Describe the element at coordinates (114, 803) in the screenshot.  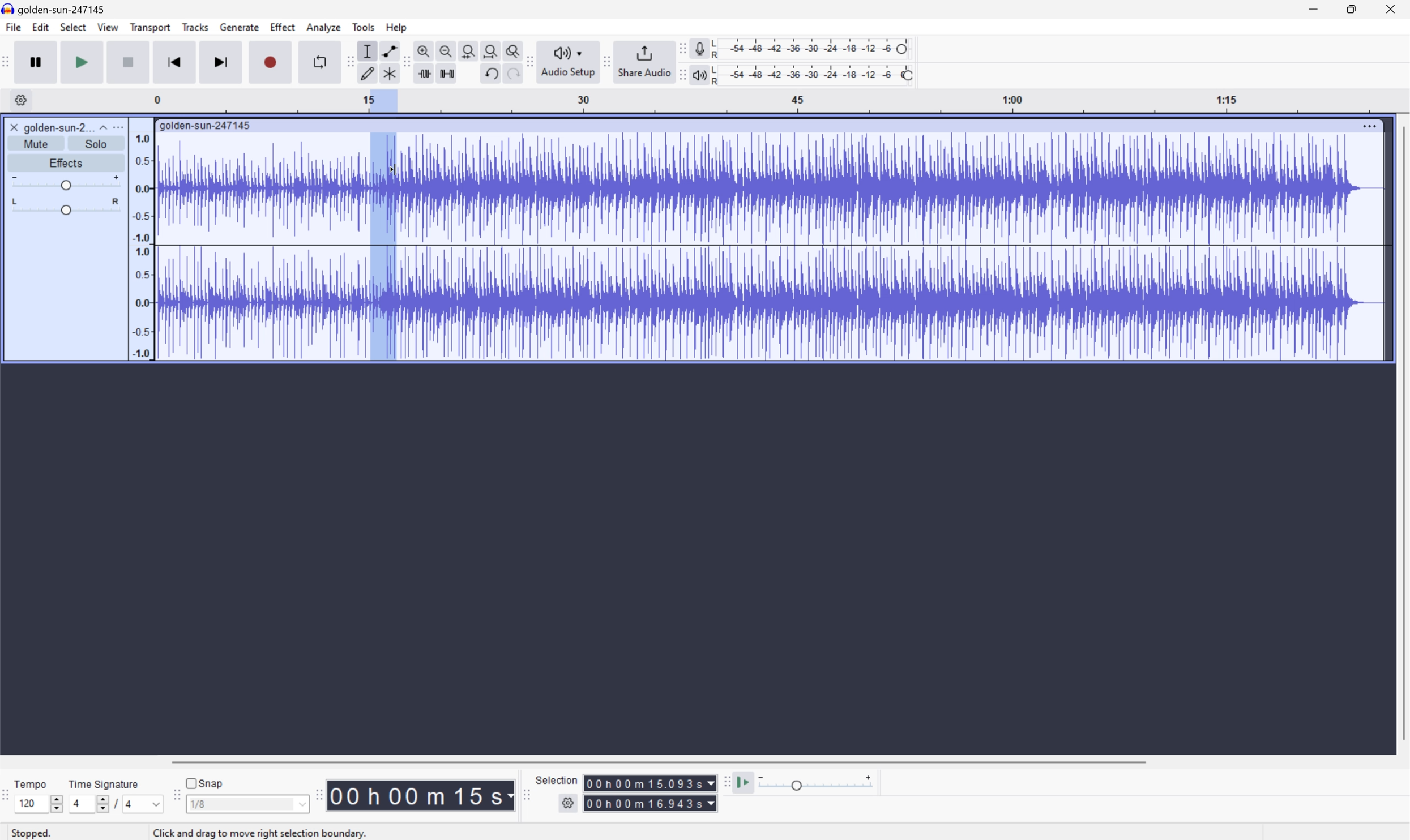
I see `/` at that location.